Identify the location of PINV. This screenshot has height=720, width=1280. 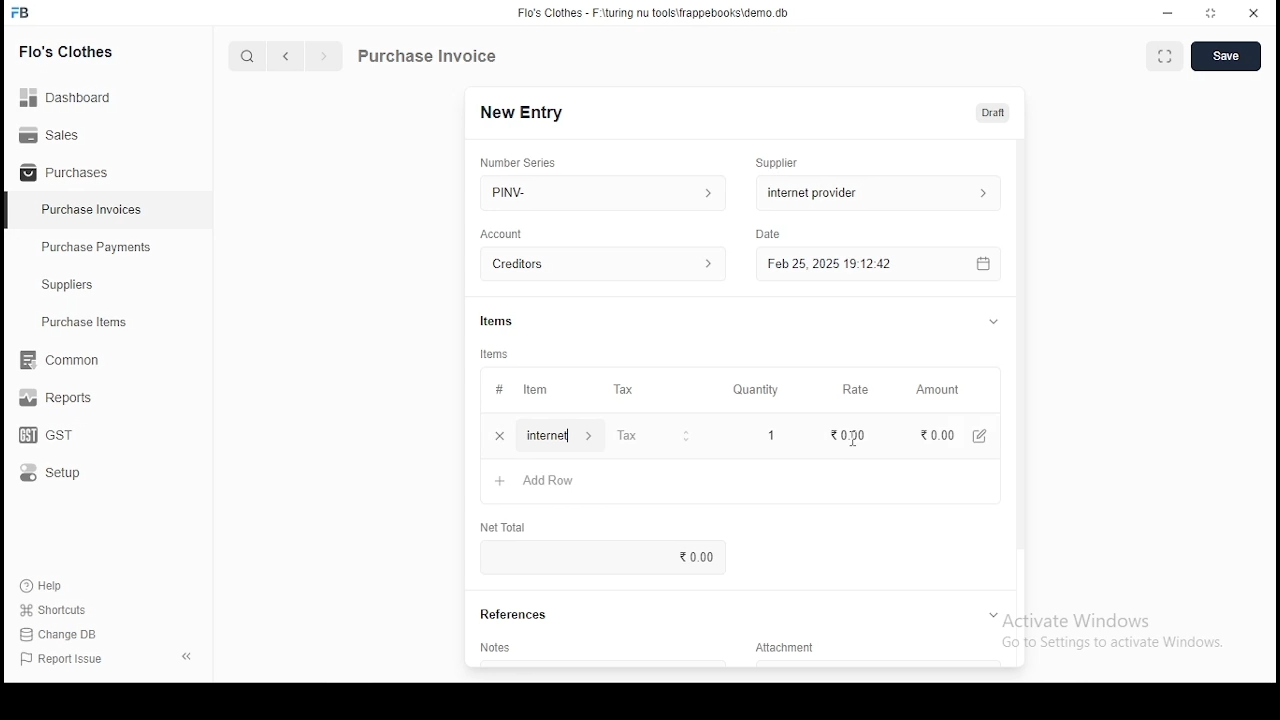
(603, 190).